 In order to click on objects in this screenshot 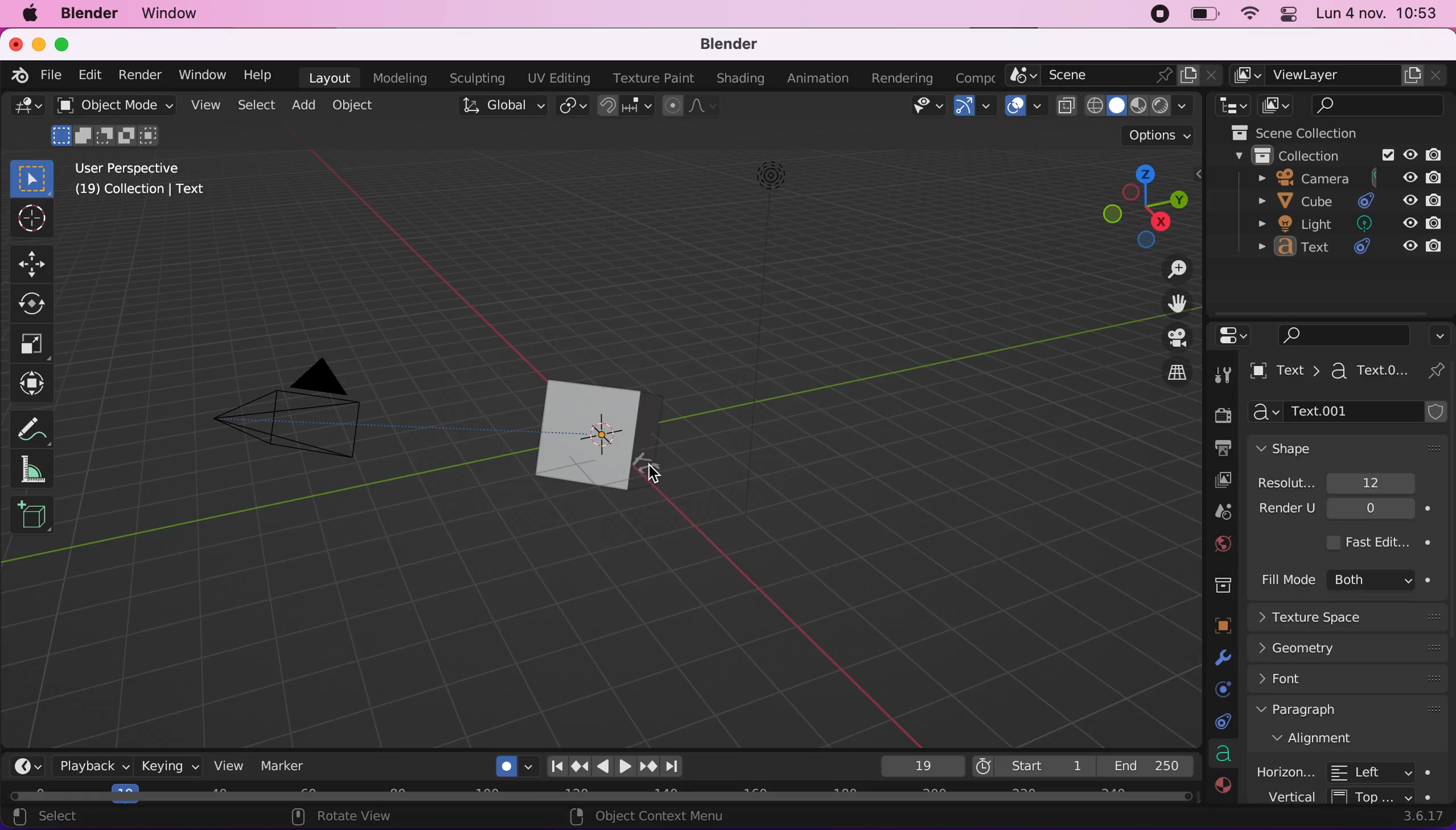, I will do `click(1225, 625)`.